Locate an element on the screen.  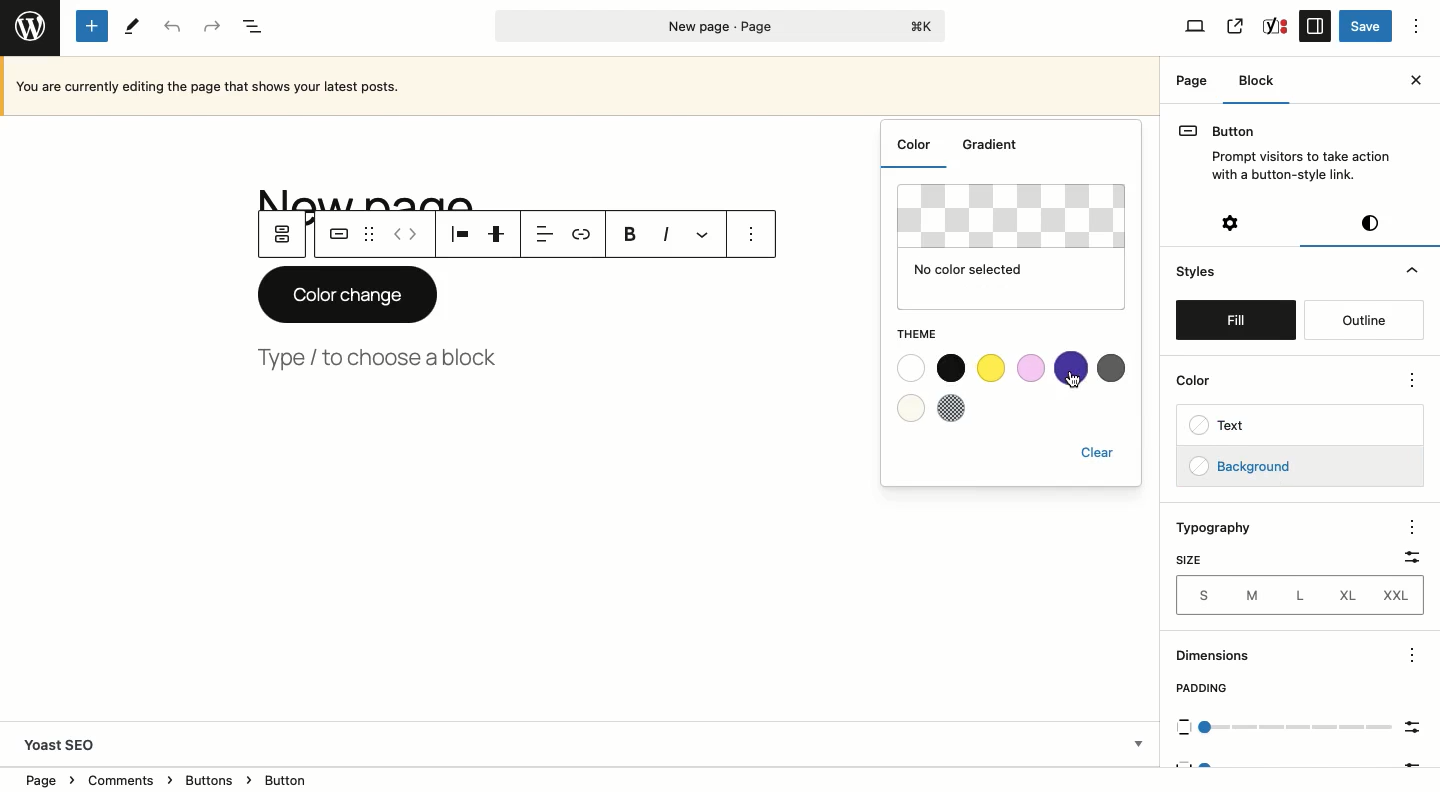
Theme is located at coordinates (917, 334).